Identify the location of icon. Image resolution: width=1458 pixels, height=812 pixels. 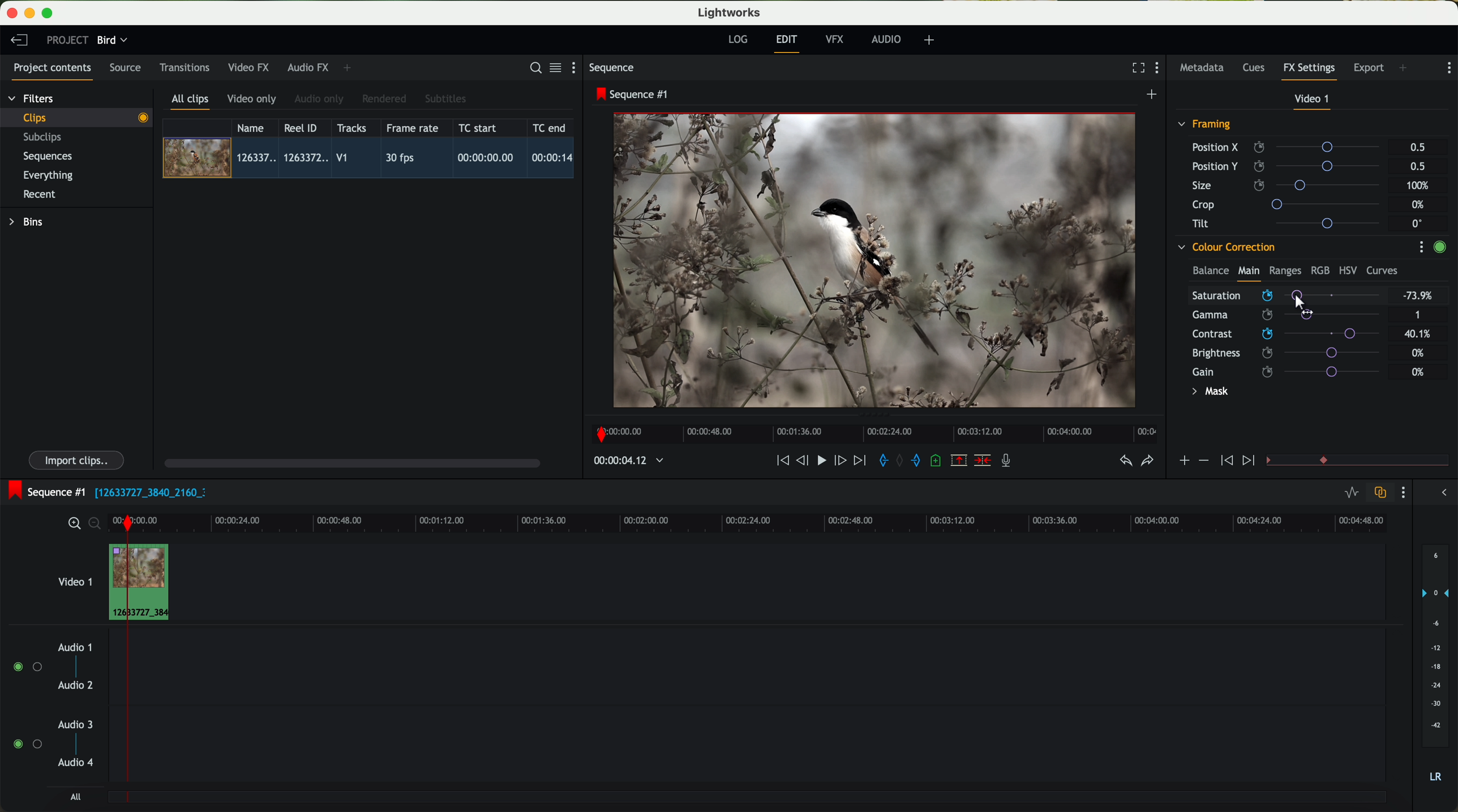
(1203, 461).